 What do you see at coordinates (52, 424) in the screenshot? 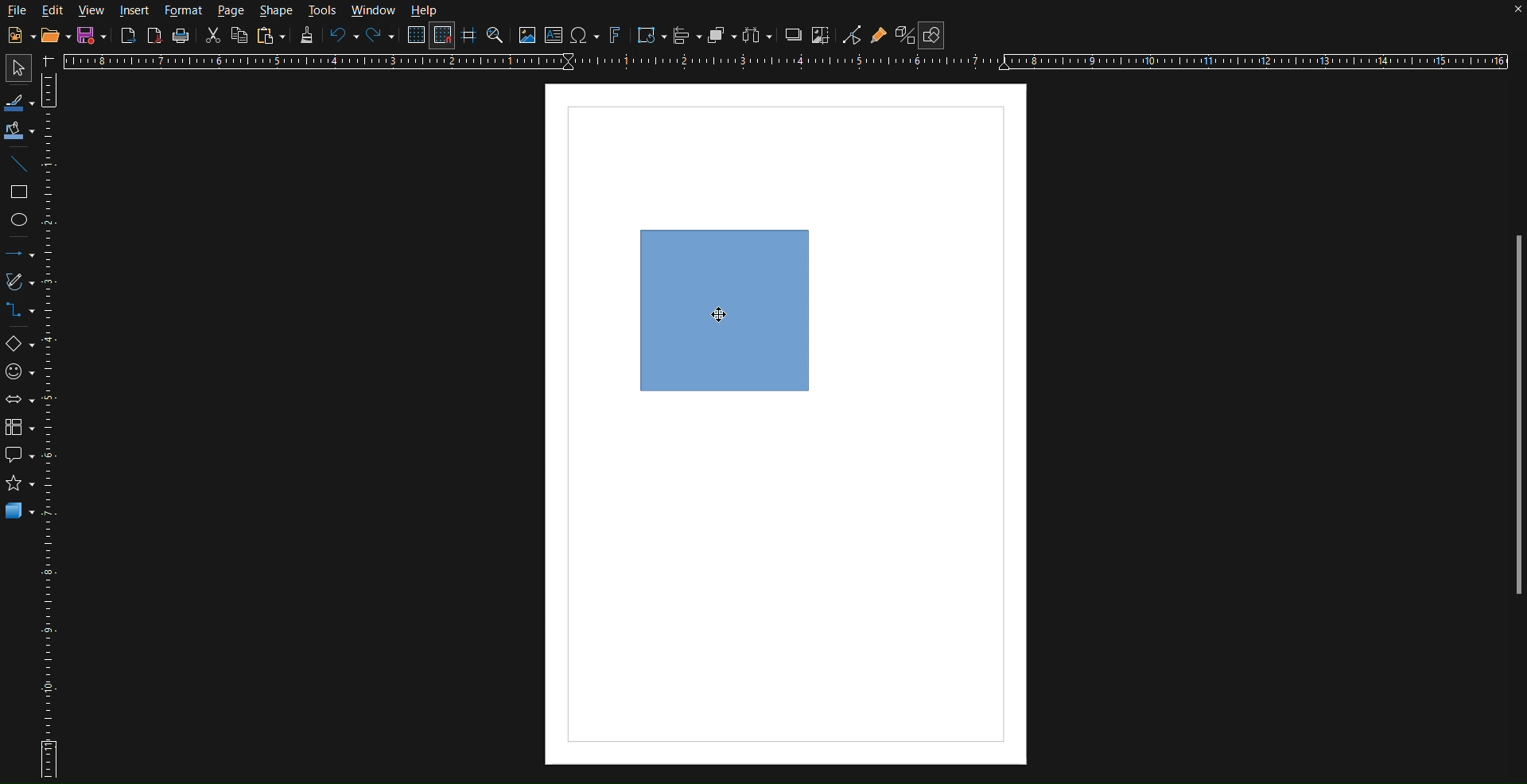
I see `Vertical Ruler` at bounding box center [52, 424].